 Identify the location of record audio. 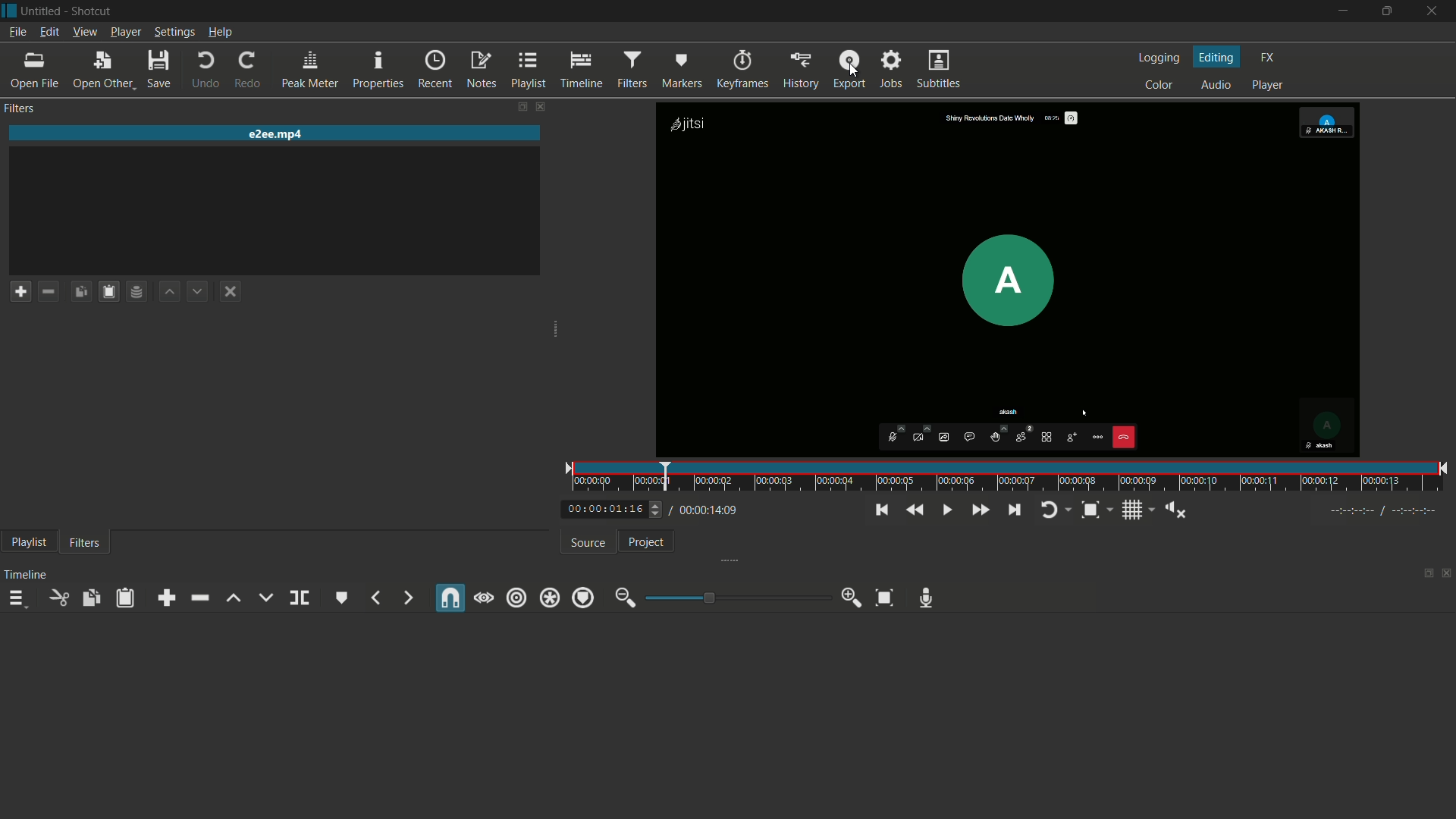
(925, 599).